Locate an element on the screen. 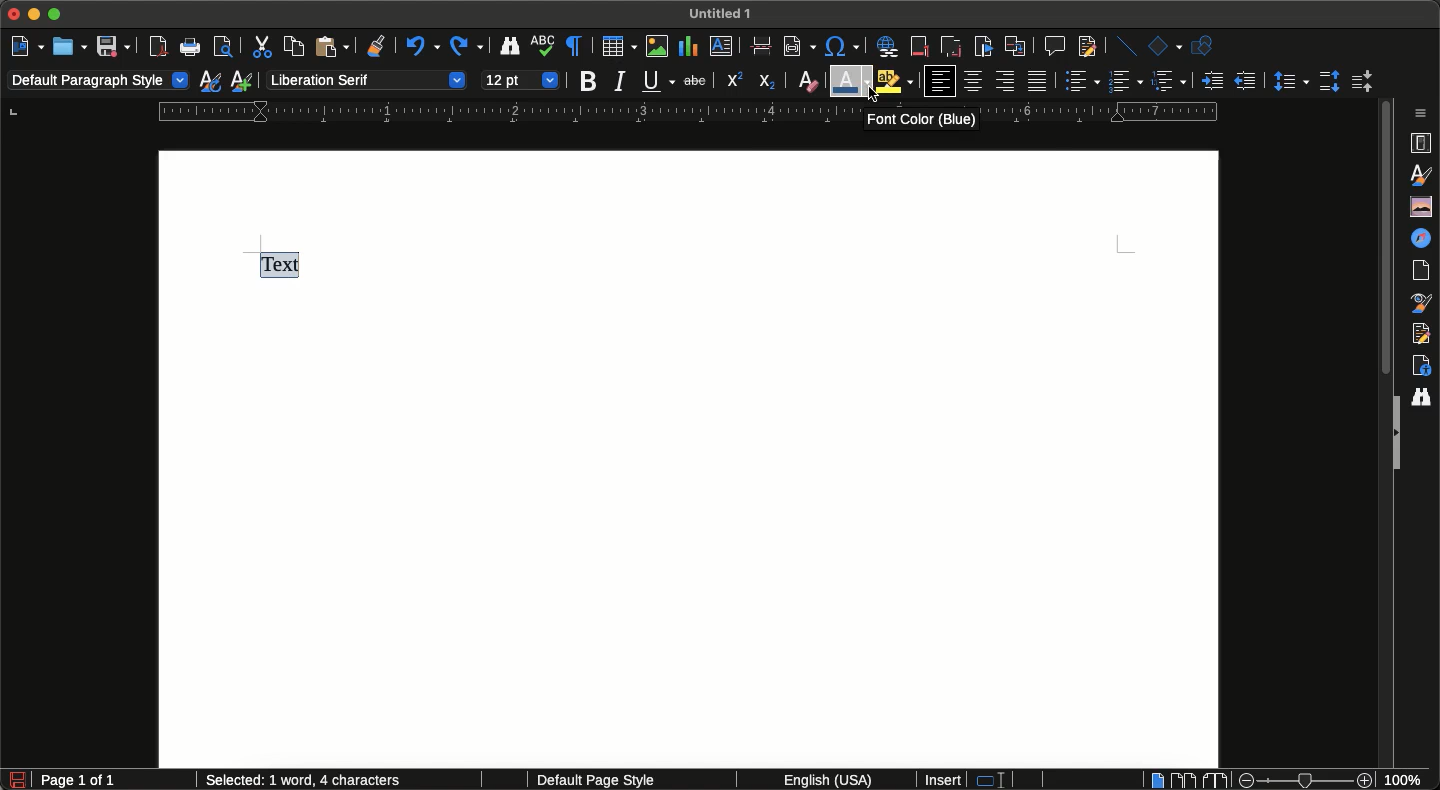 The image size is (1440, 790). Redo is located at coordinates (466, 47).